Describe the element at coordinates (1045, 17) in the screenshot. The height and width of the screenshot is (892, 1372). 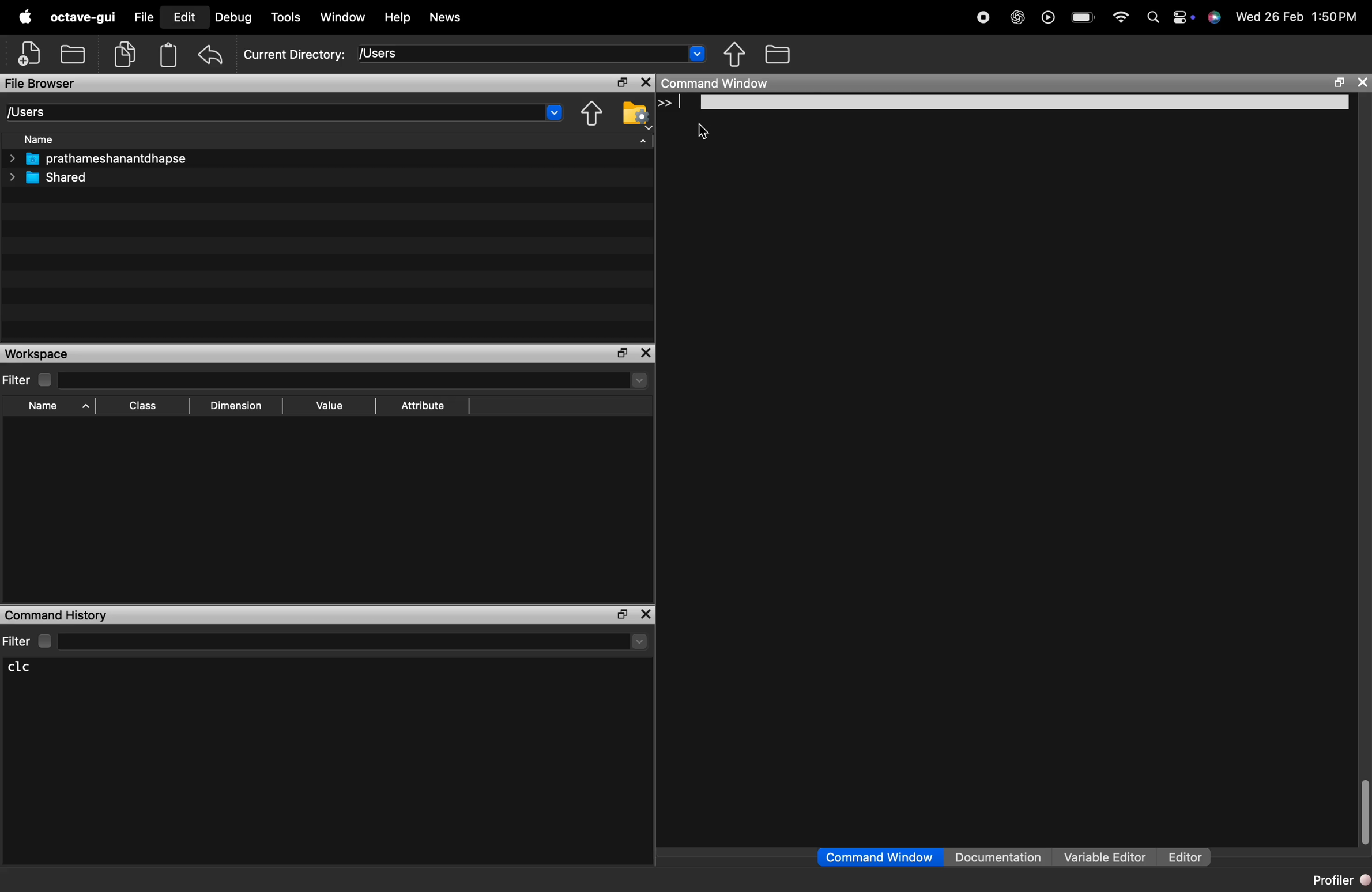
I see `play` at that location.